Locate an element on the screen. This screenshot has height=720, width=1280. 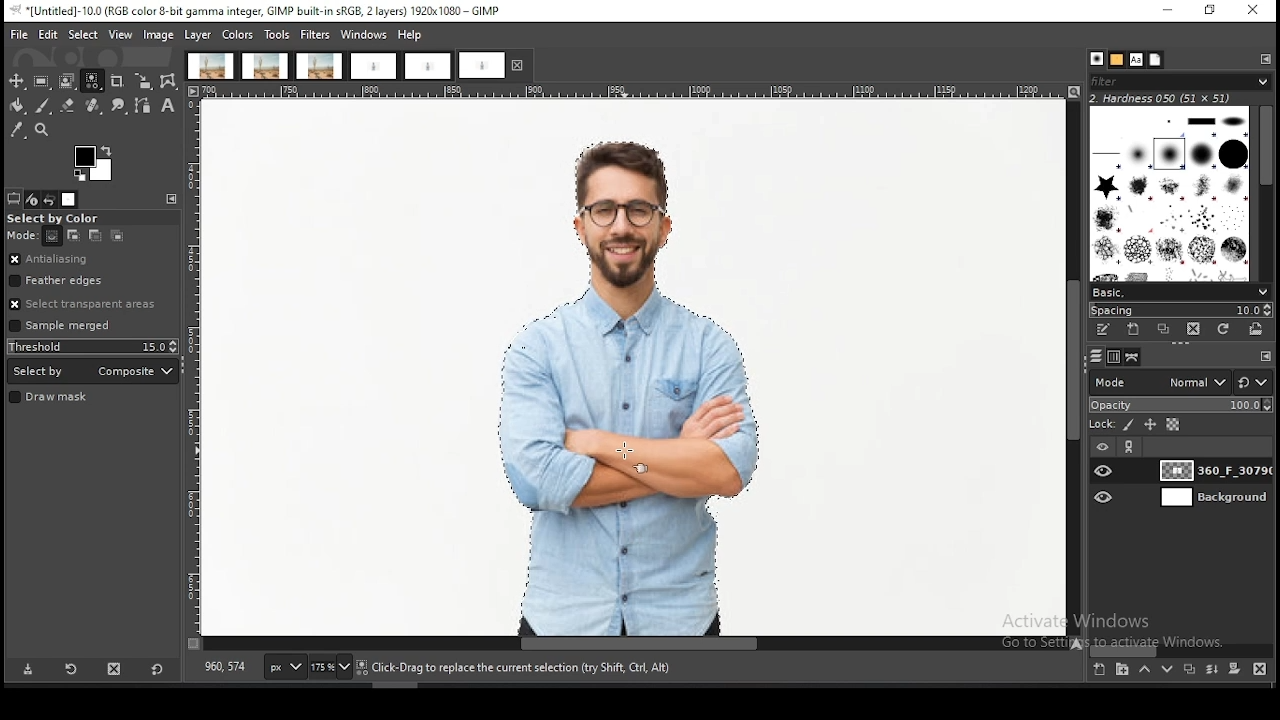
scroll bar is located at coordinates (1074, 368).